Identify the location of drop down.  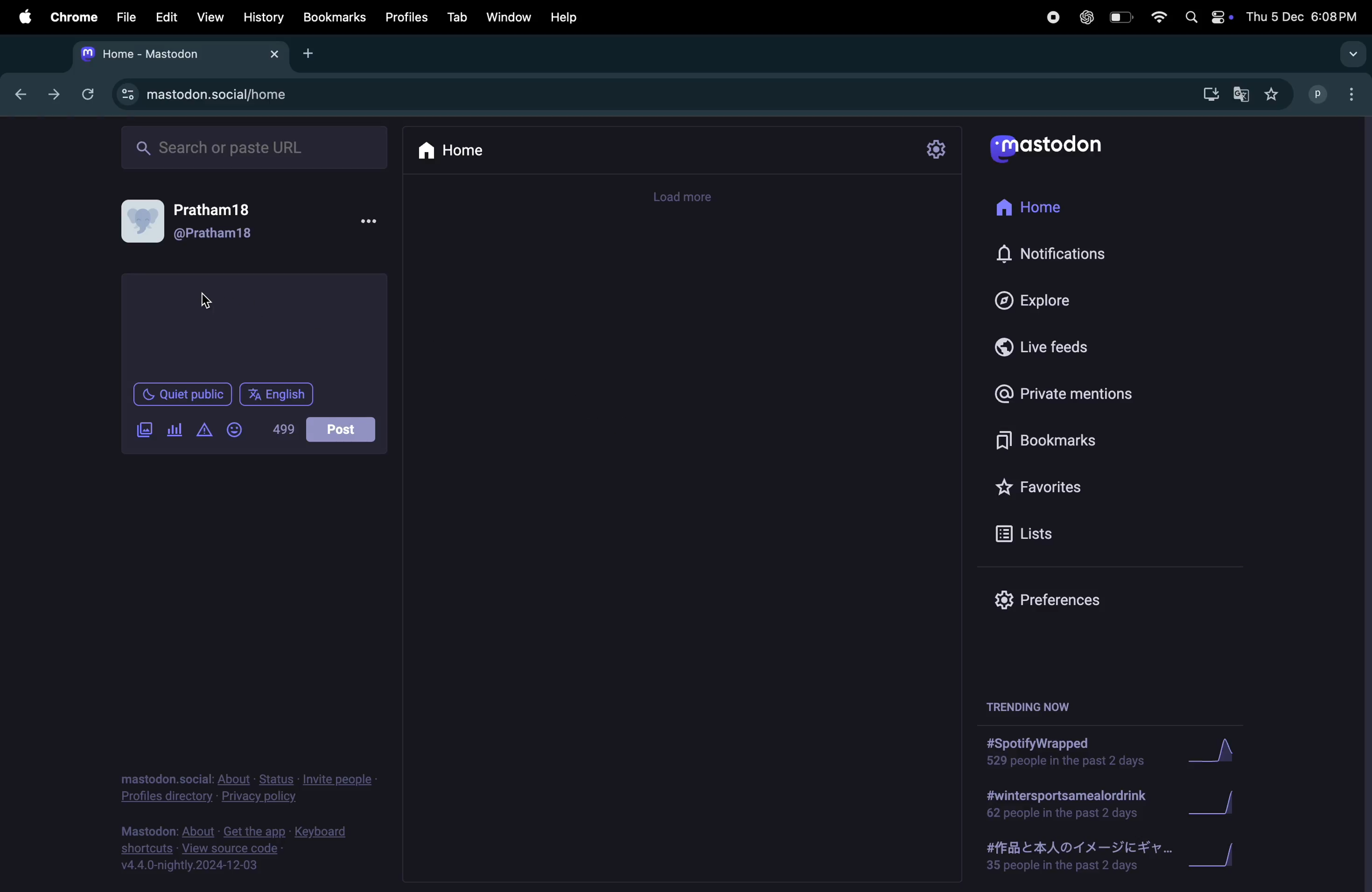
(1352, 54).